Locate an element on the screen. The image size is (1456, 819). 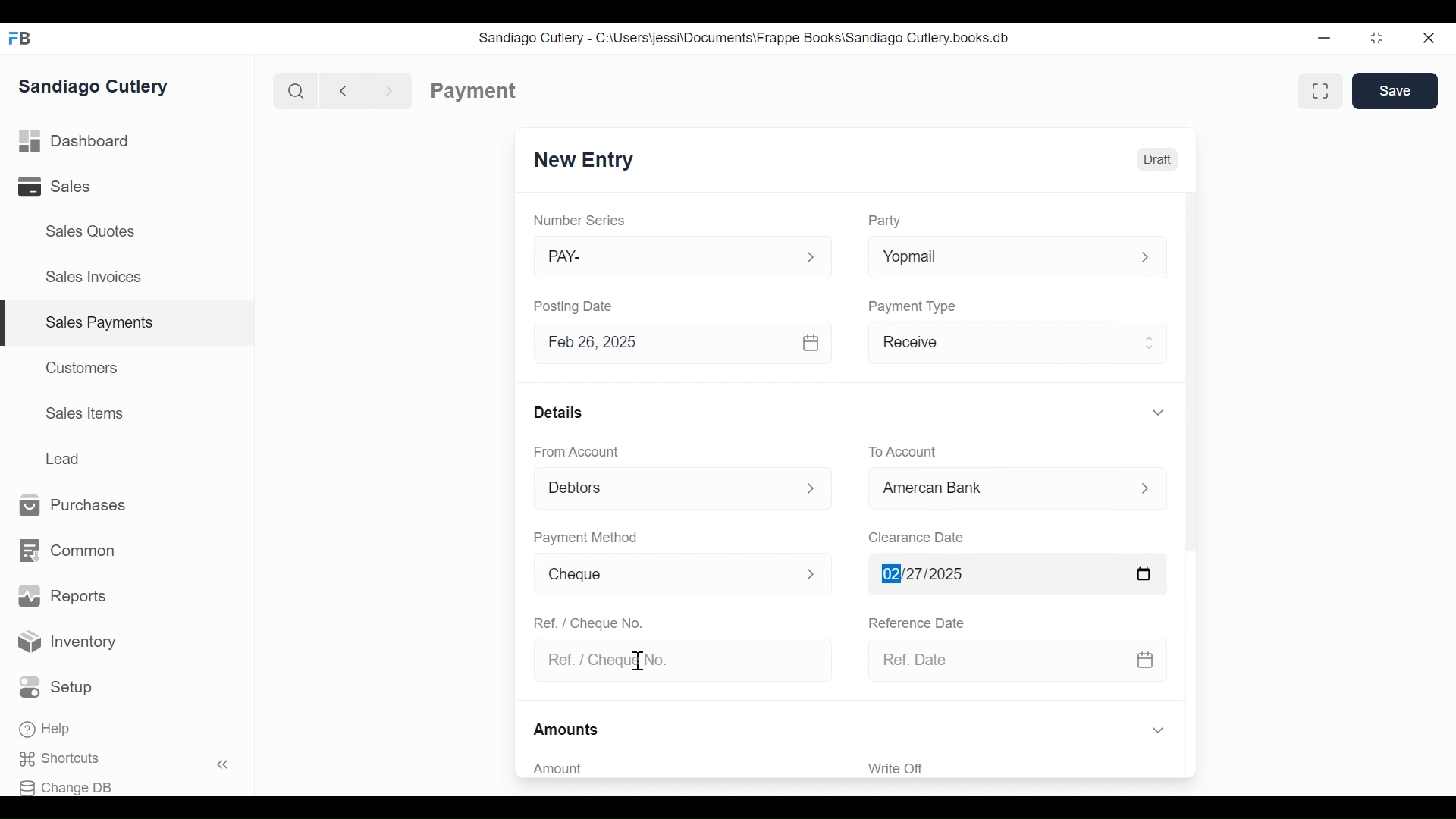
Details is located at coordinates (558, 411).